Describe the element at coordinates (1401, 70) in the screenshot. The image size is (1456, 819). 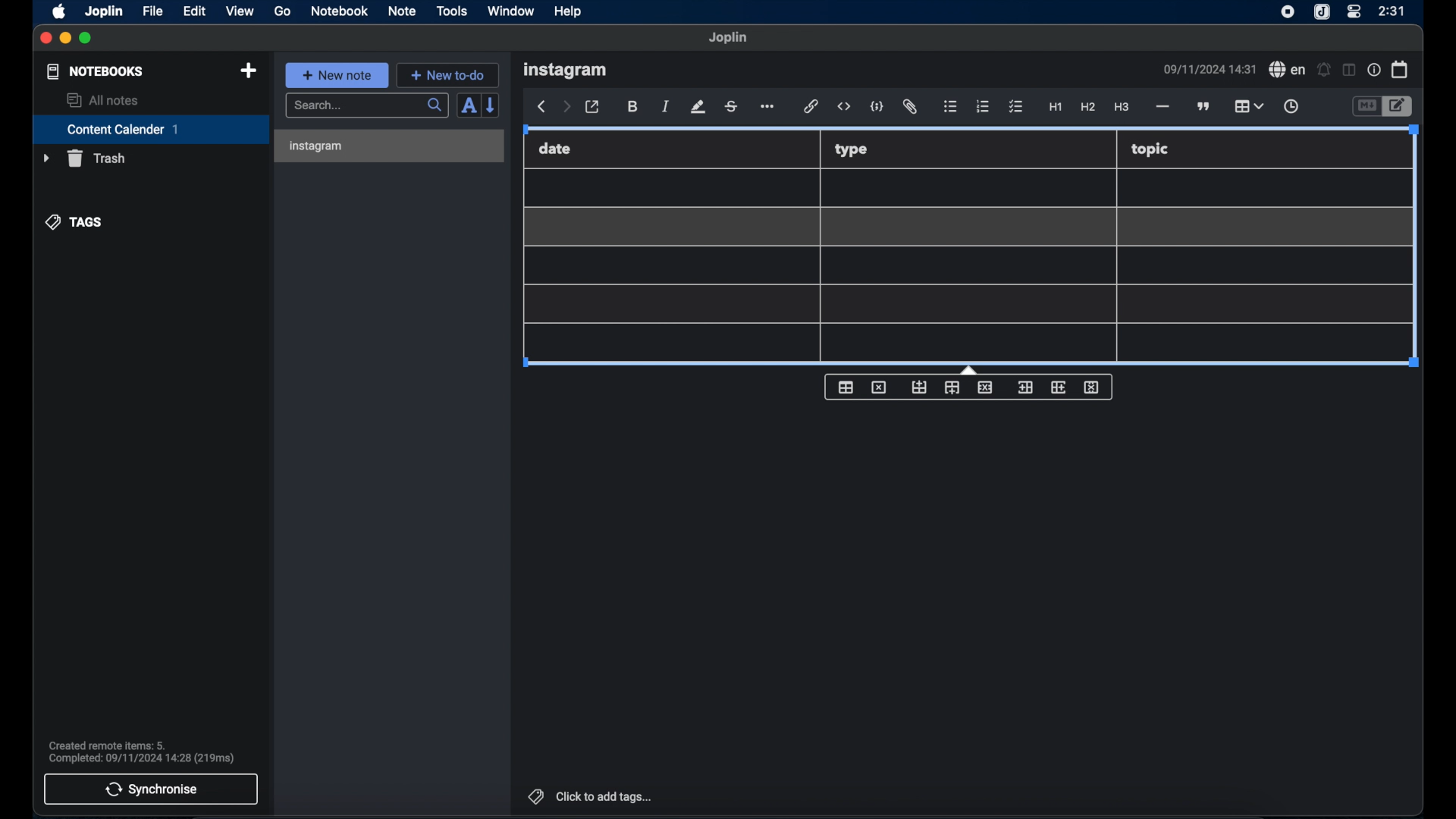
I see `calendar icon` at that location.